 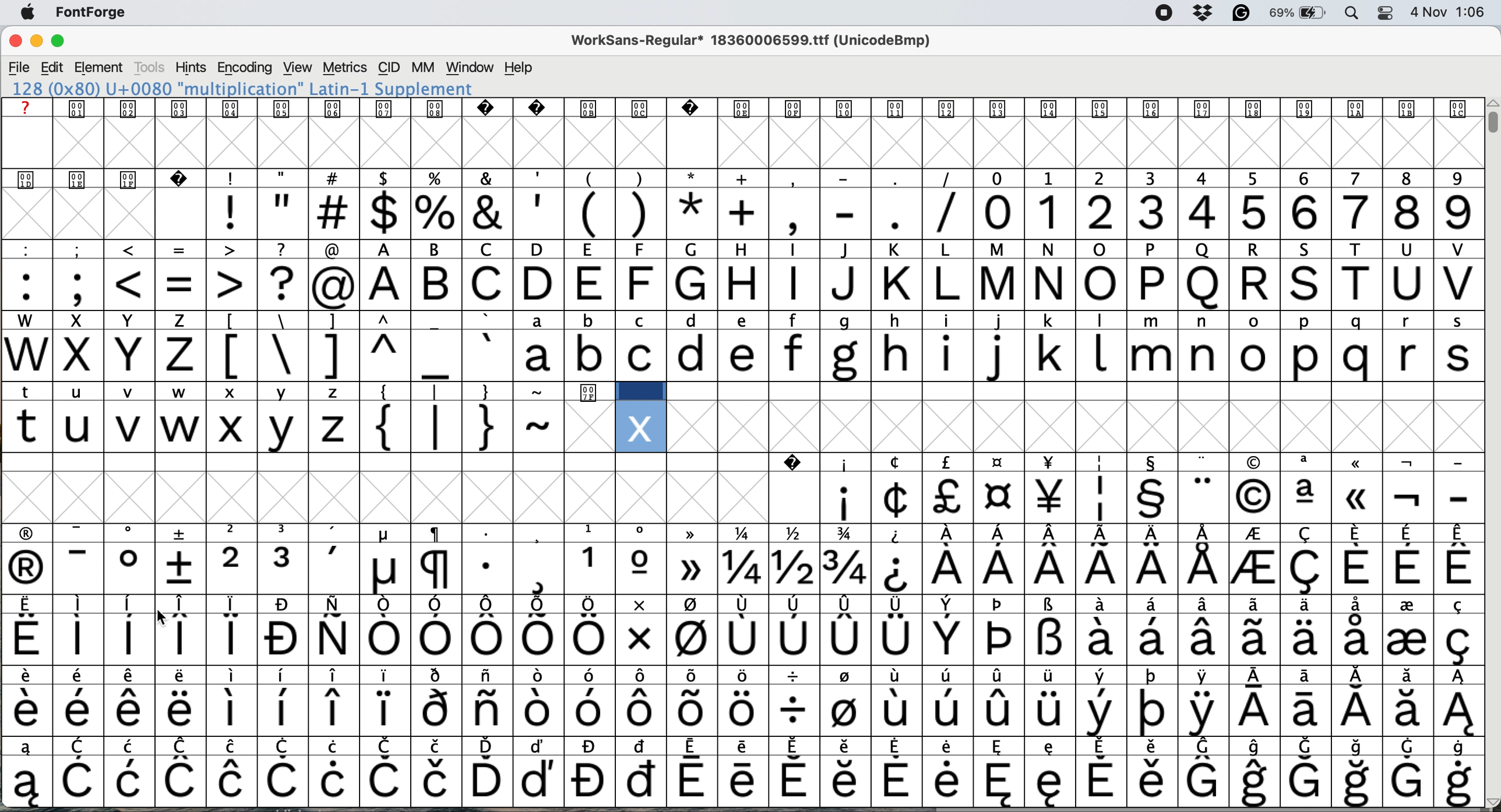 I want to click on 120 (0x78) U+0078 "x" LATIN SMALL LETTER X, so click(x=220, y=89).